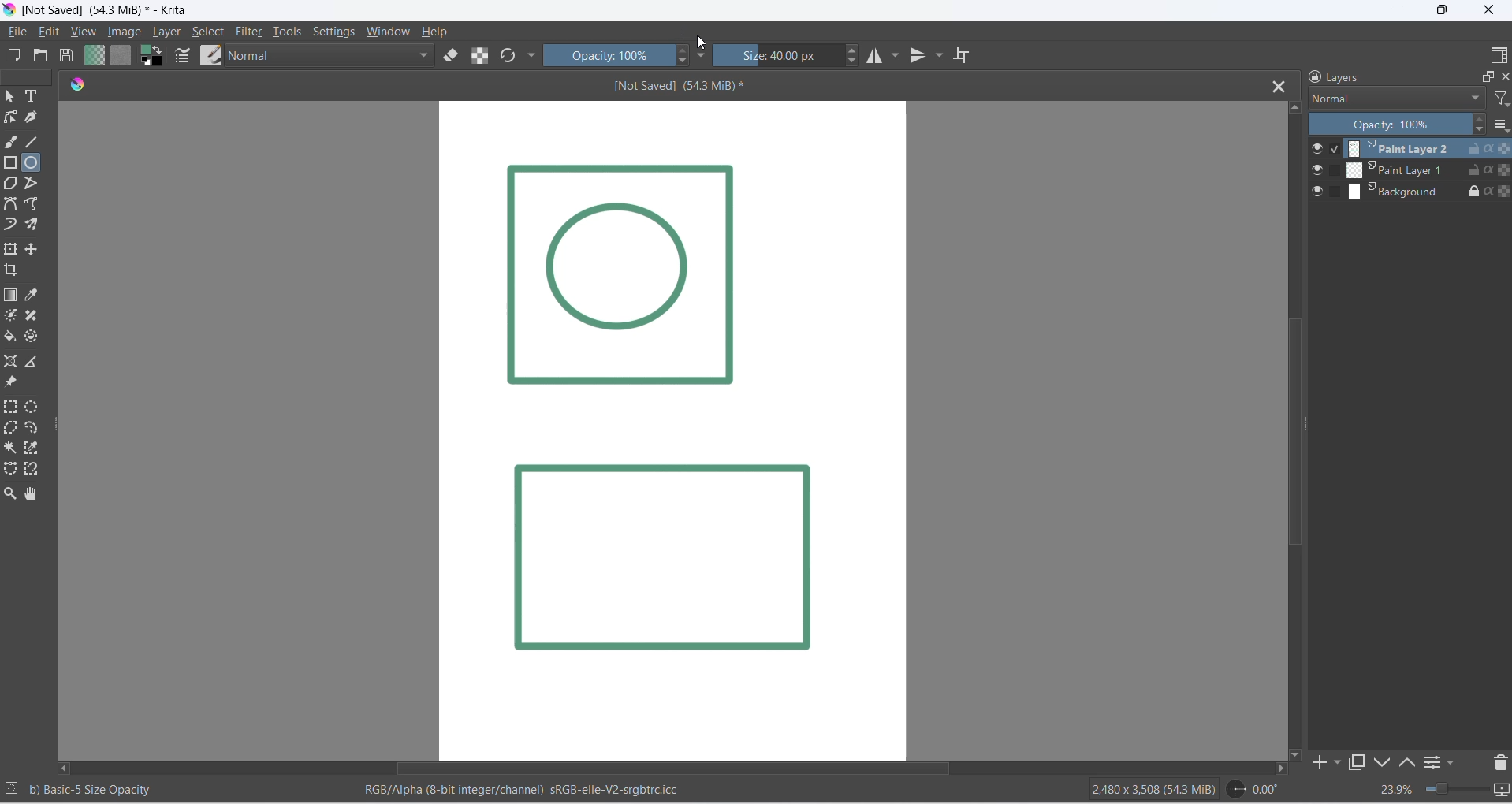 The image size is (1512, 804). Describe the element at coordinates (1399, 147) in the screenshot. I see `Paint Layer 3` at that location.